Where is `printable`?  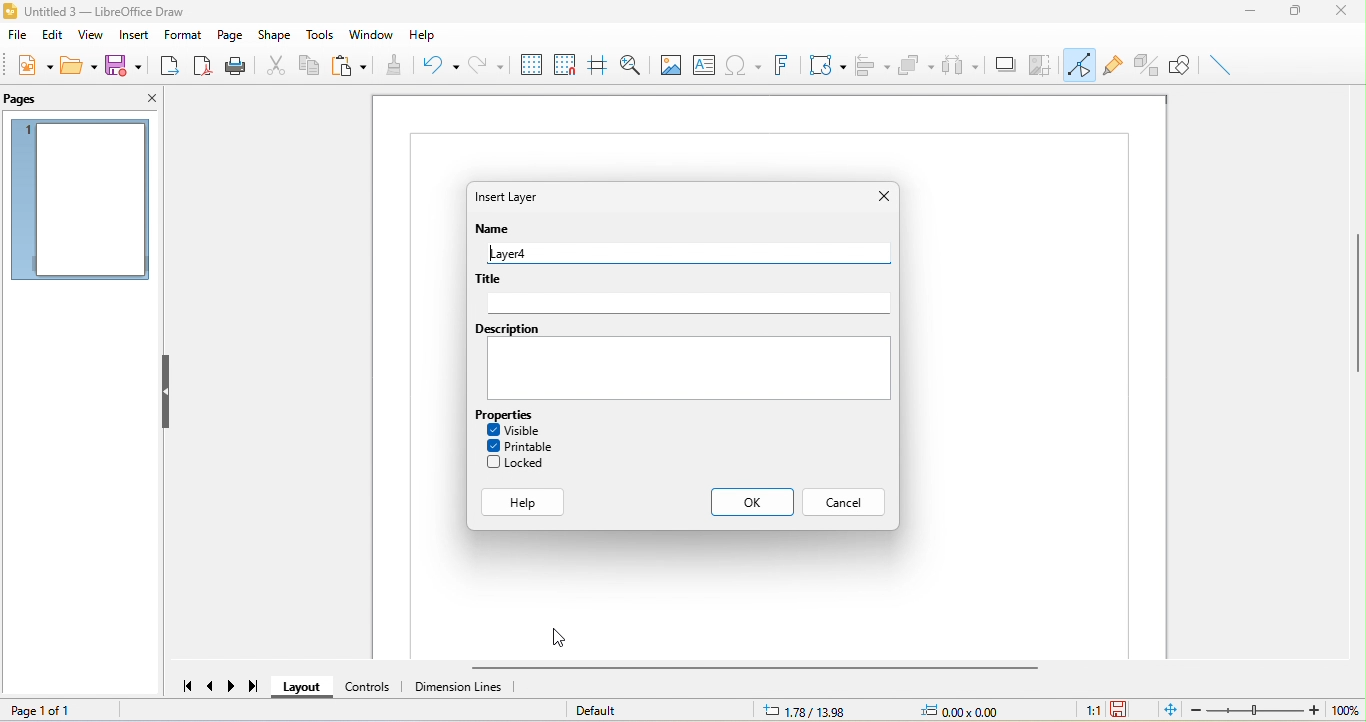
printable is located at coordinates (520, 445).